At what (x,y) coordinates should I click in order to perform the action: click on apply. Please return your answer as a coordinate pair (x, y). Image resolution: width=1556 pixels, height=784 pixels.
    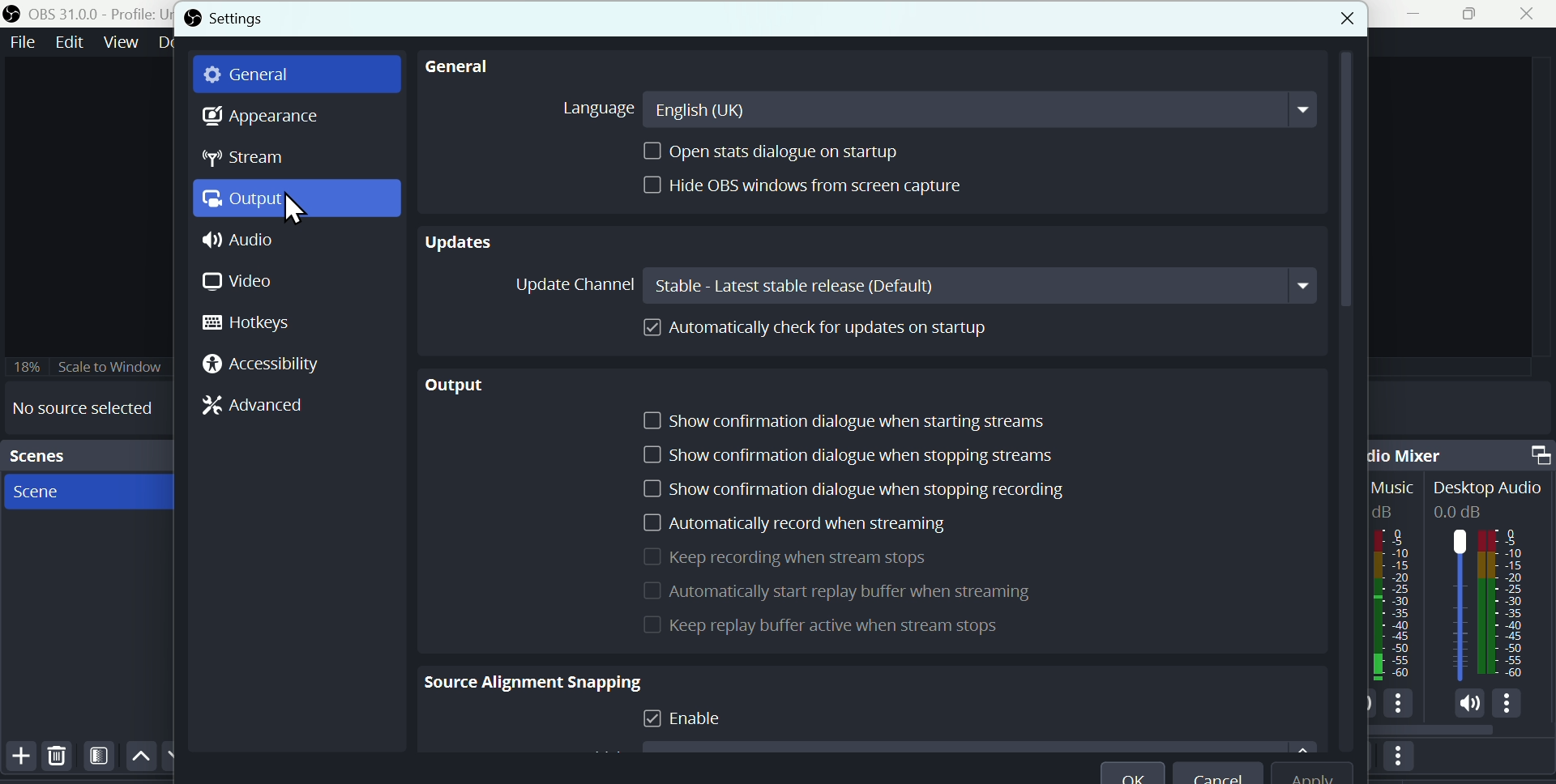
    Looking at the image, I should click on (1304, 773).